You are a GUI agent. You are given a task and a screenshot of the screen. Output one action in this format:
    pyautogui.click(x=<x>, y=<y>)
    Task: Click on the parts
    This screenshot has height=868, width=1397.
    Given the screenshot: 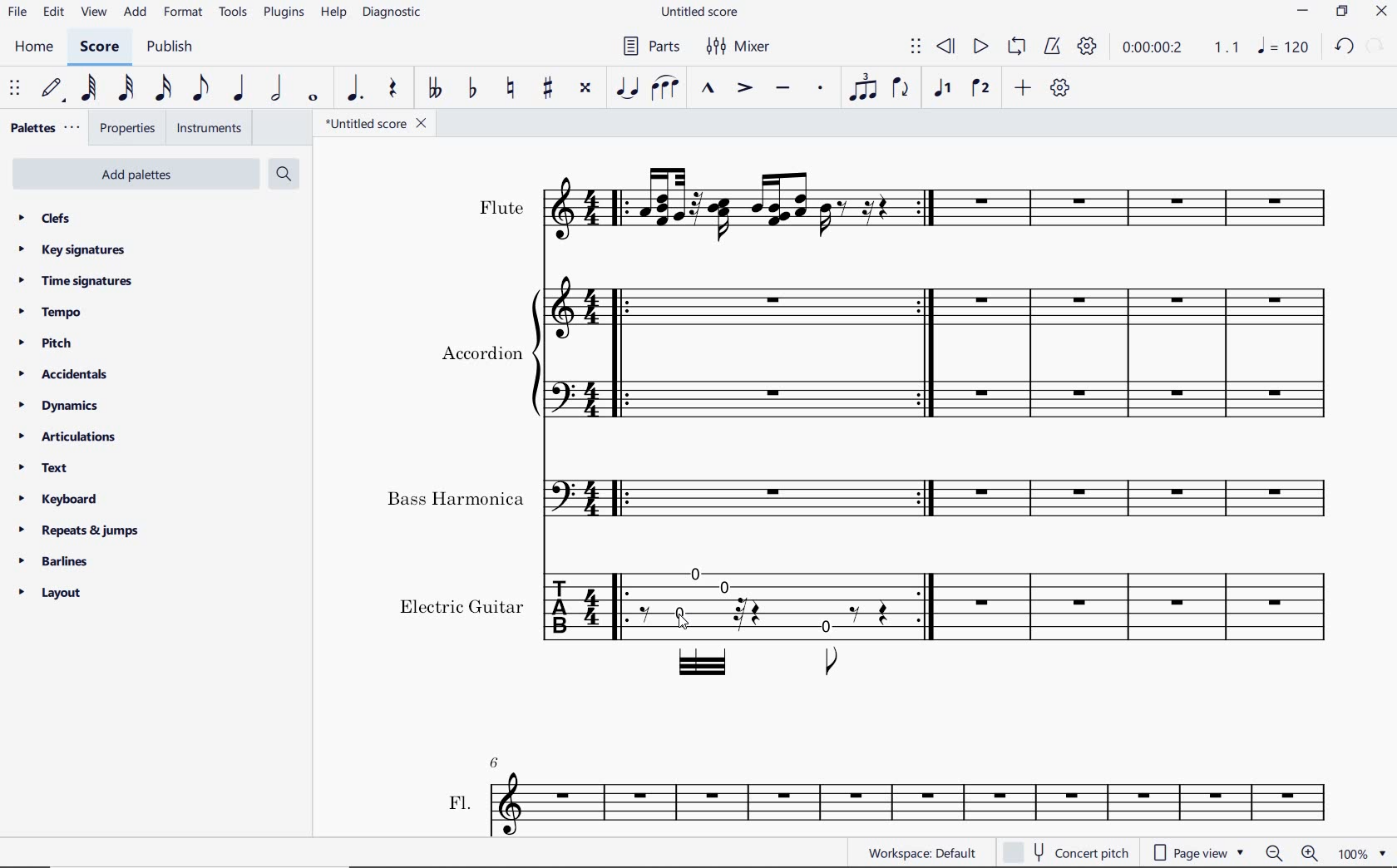 What is the action you would take?
    pyautogui.click(x=652, y=47)
    